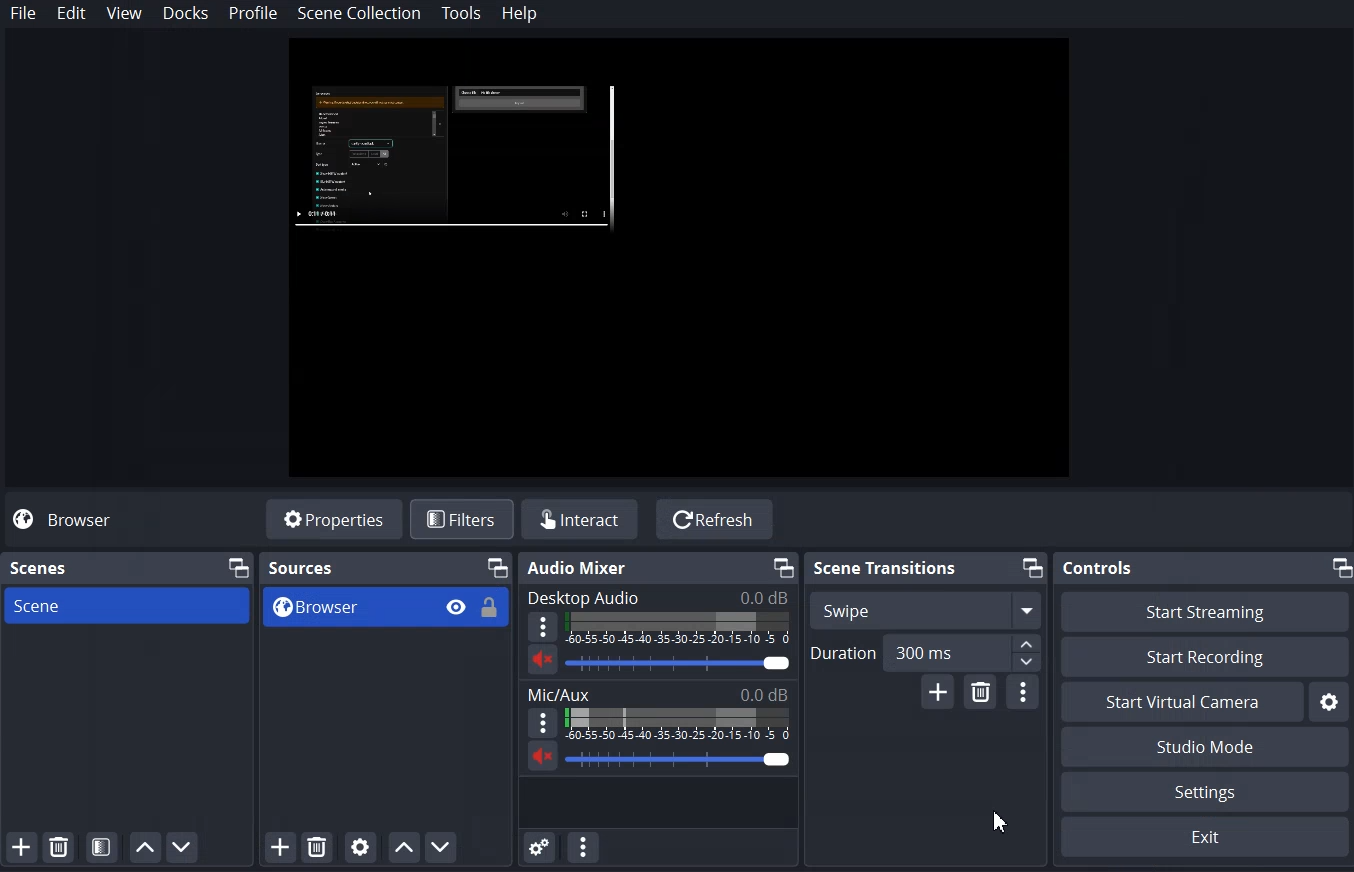  I want to click on Maximize, so click(1340, 568).